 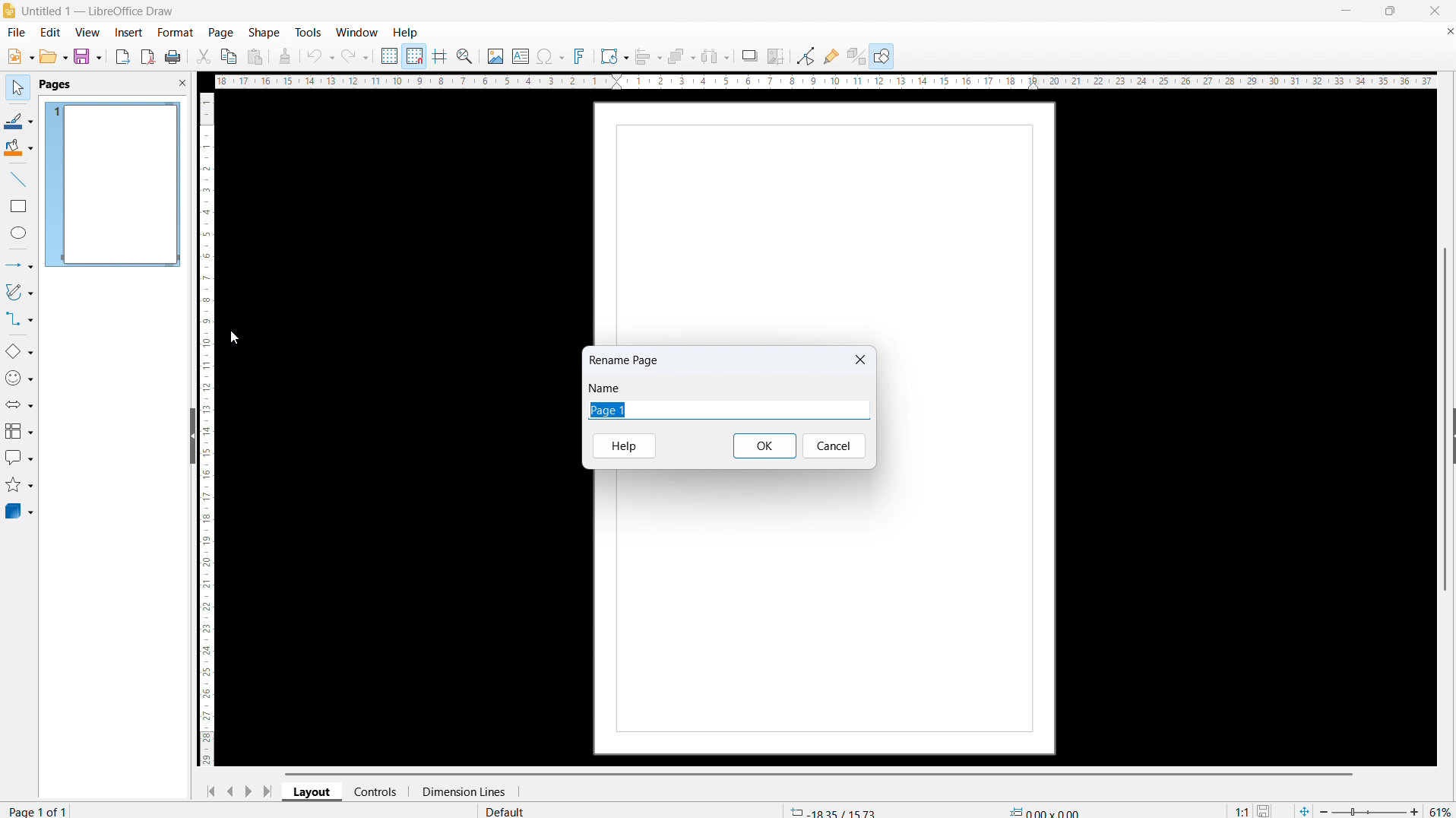 What do you see at coordinates (20, 487) in the screenshot?
I see `stars and banners` at bounding box center [20, 487].